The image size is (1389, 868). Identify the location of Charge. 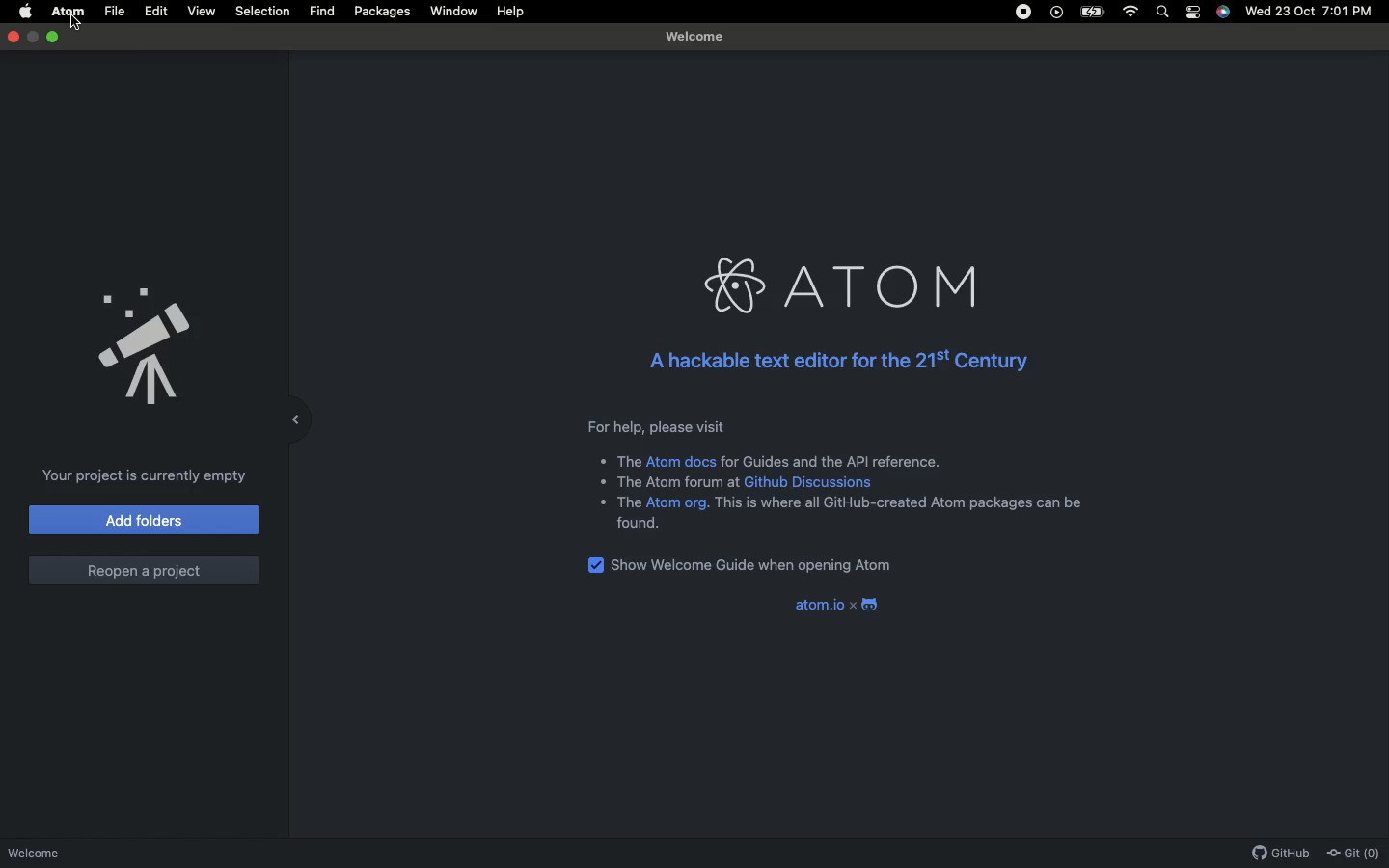
(1092, 13).